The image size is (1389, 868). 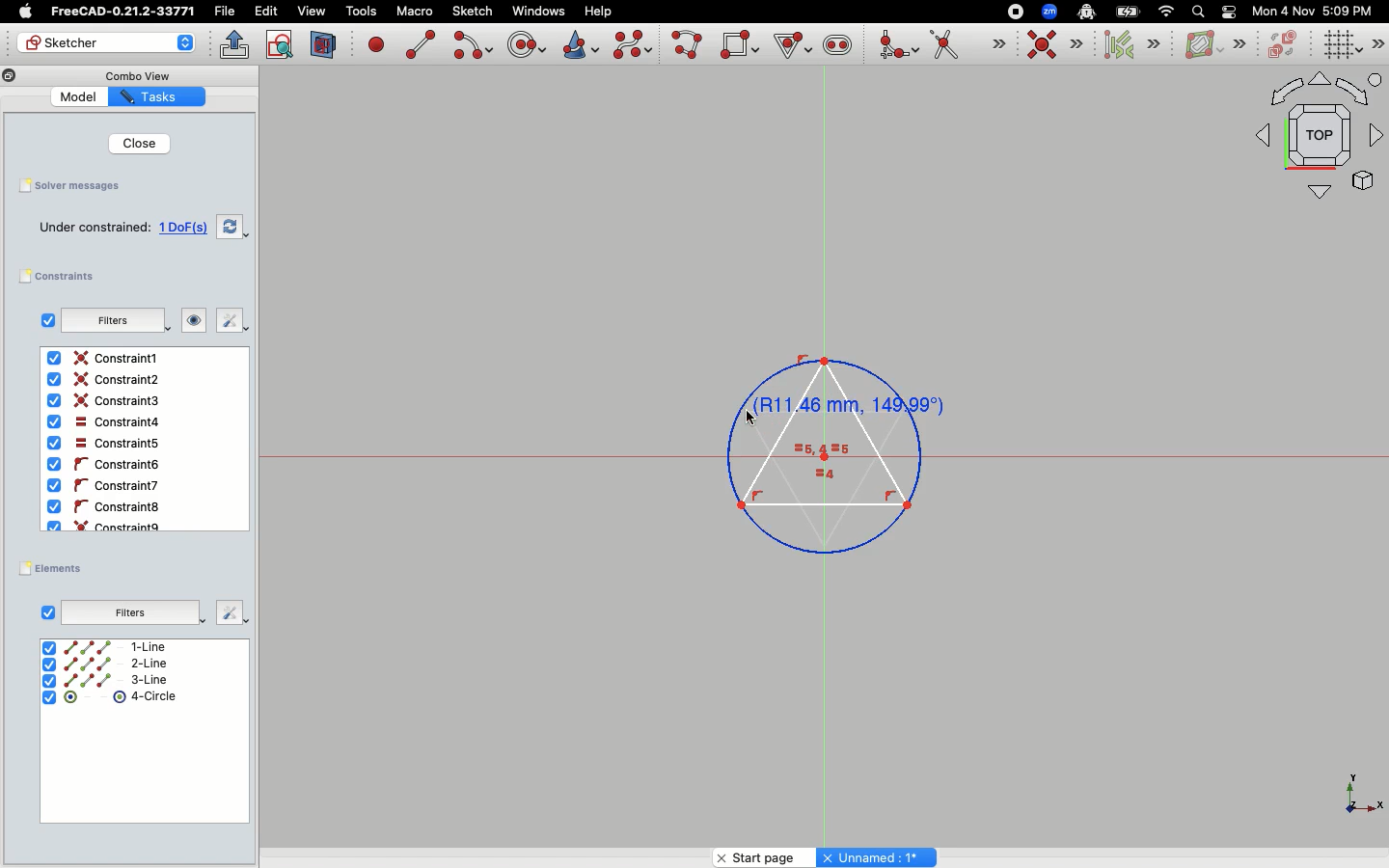 What do you see at coordinates (235, 44) in the screenshot?
I see `Leave sketch` at bounding box center [235, 44].